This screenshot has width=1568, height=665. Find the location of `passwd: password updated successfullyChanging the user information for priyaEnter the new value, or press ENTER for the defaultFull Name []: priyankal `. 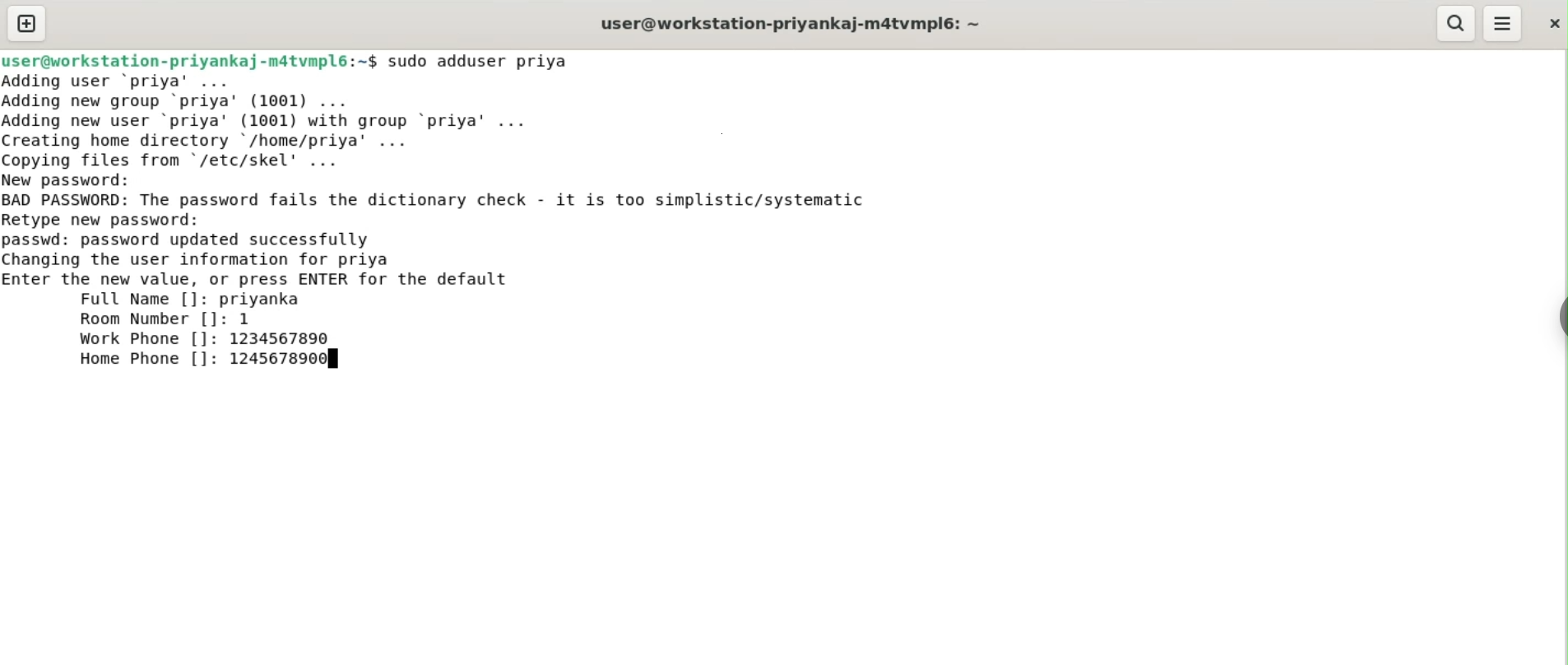

passwd: password updated successfullyChanging the user information for priyaEnter the new value, or press ENTER for the defaultFull Name []: priyankal  is located at coordinates (258, 270).